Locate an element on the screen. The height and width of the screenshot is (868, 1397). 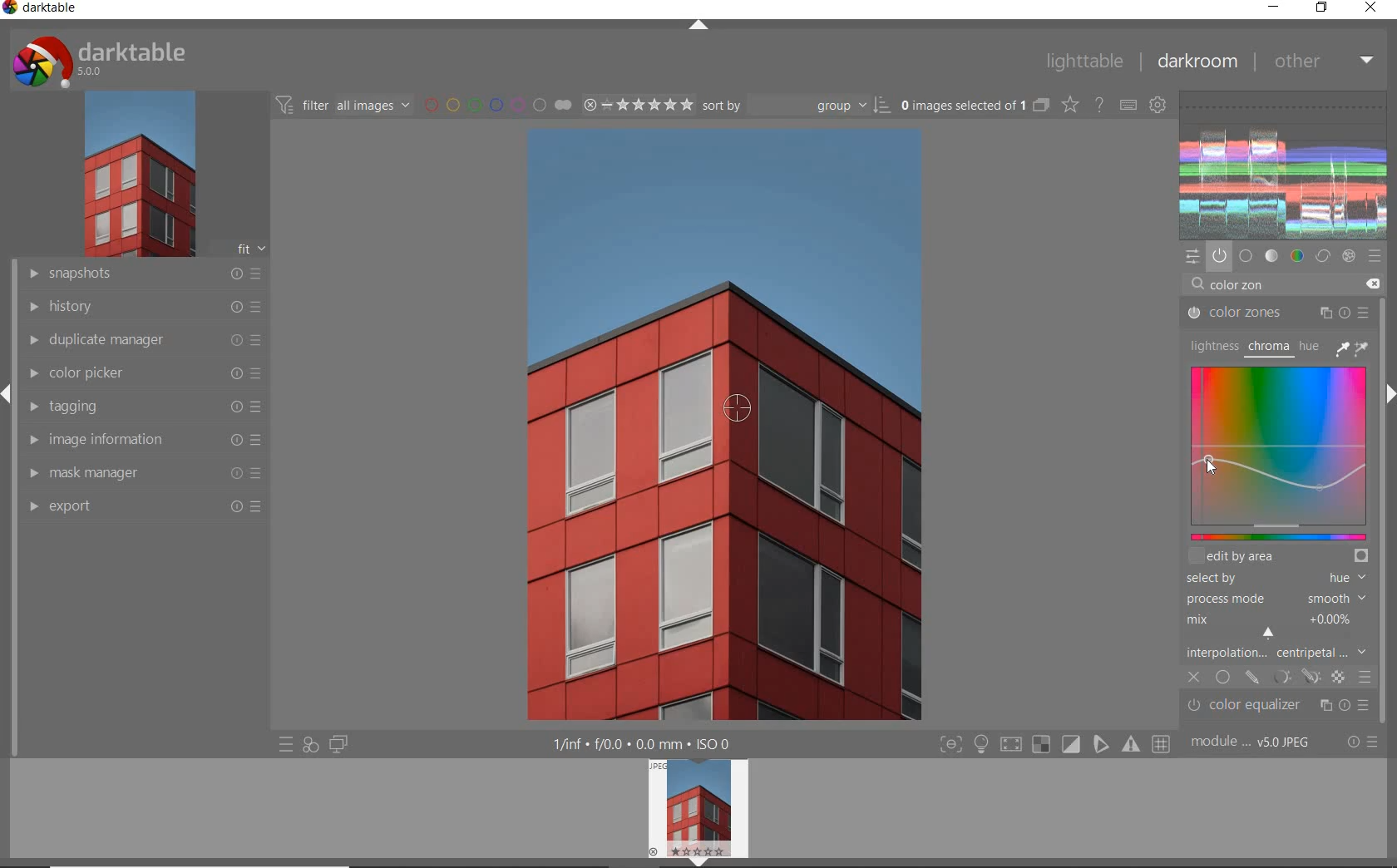
guides overlay is located at coordinates (1100, 745).